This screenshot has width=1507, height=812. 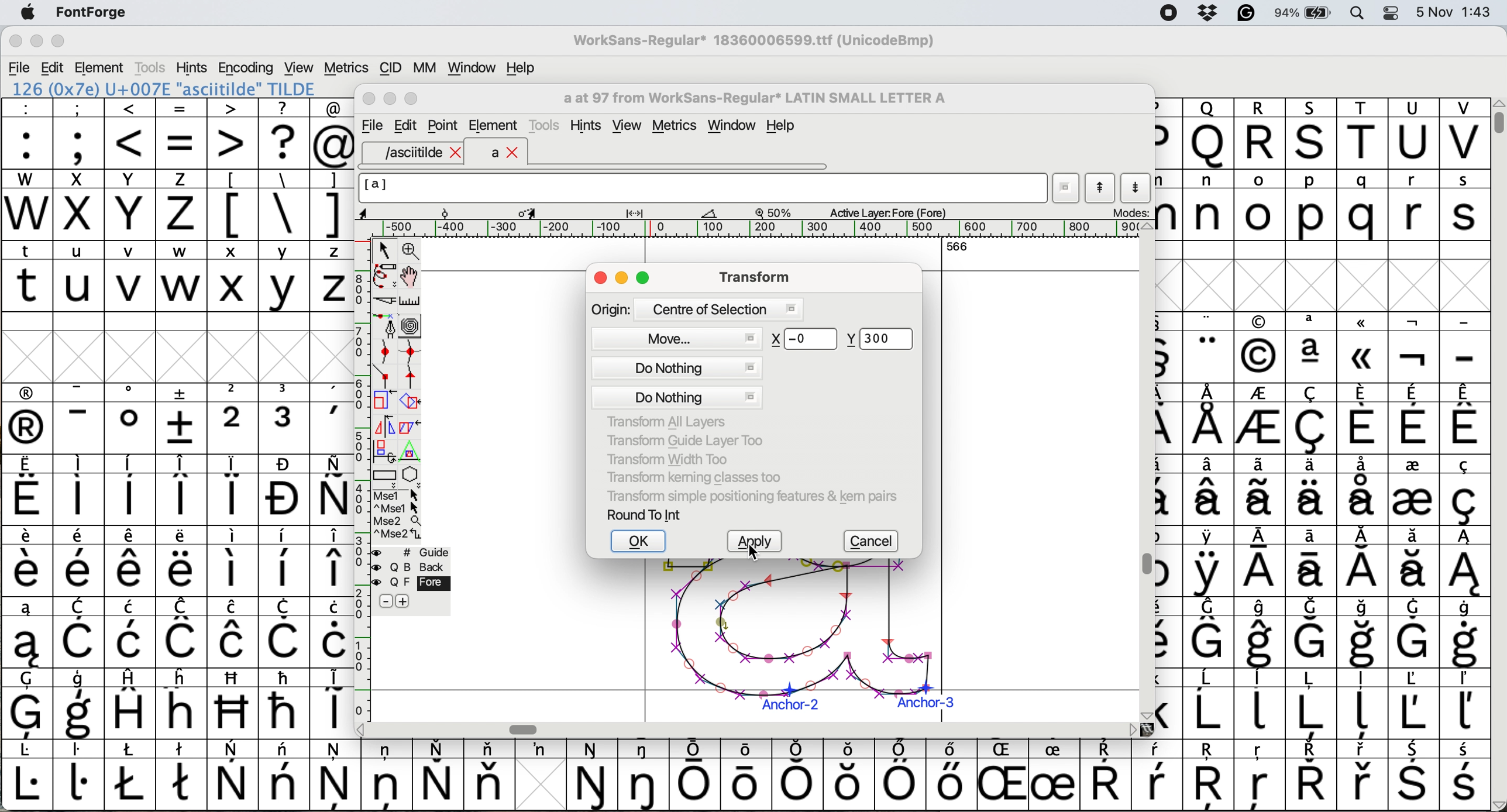 I want to click on horizontal scale, so click(x=761, y=229).